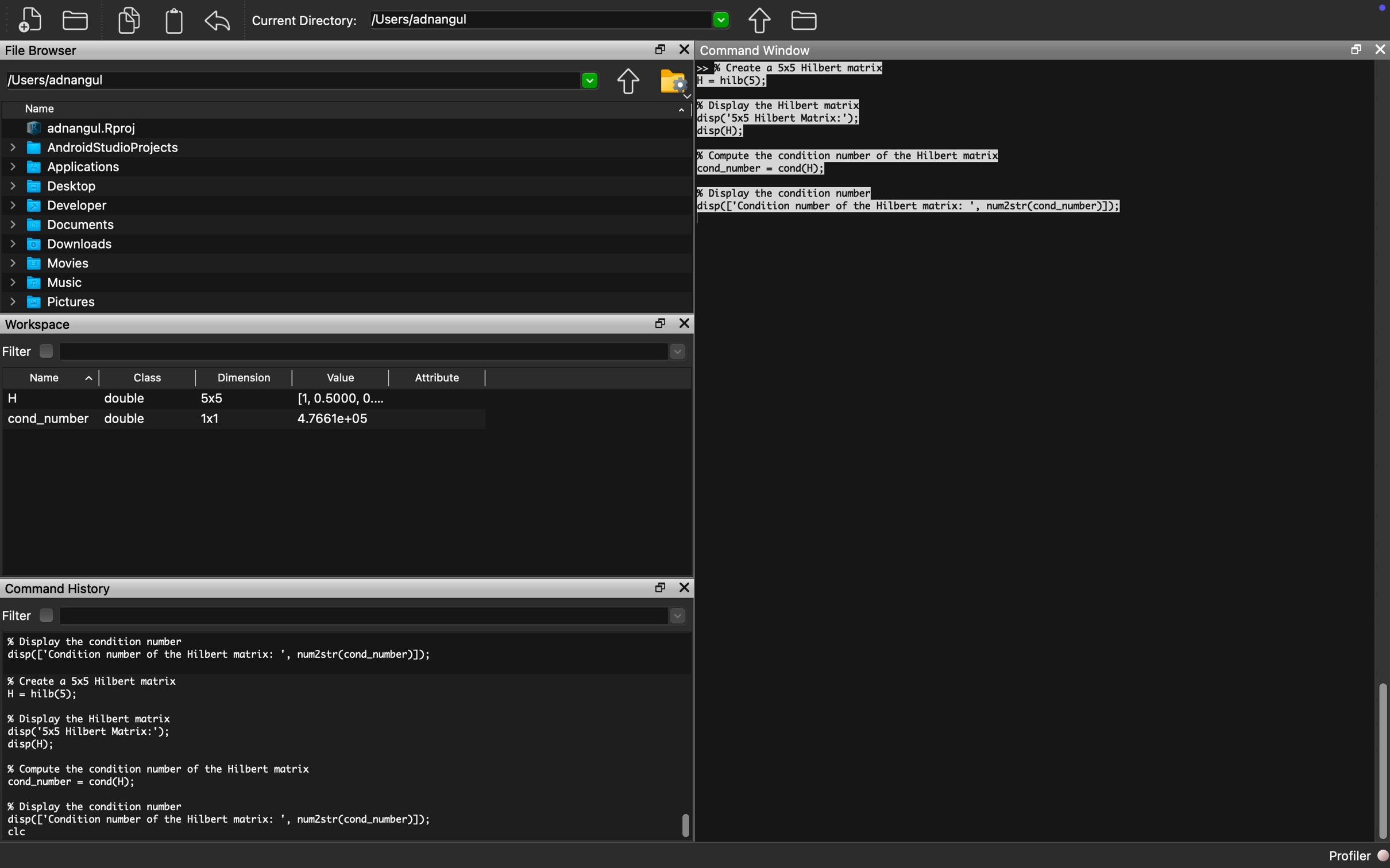 The image size is (1390, 868). What do you see at coordinates (659, 587) in the screenshot?
I see `Restore Down` at bounding box center [659, 587].